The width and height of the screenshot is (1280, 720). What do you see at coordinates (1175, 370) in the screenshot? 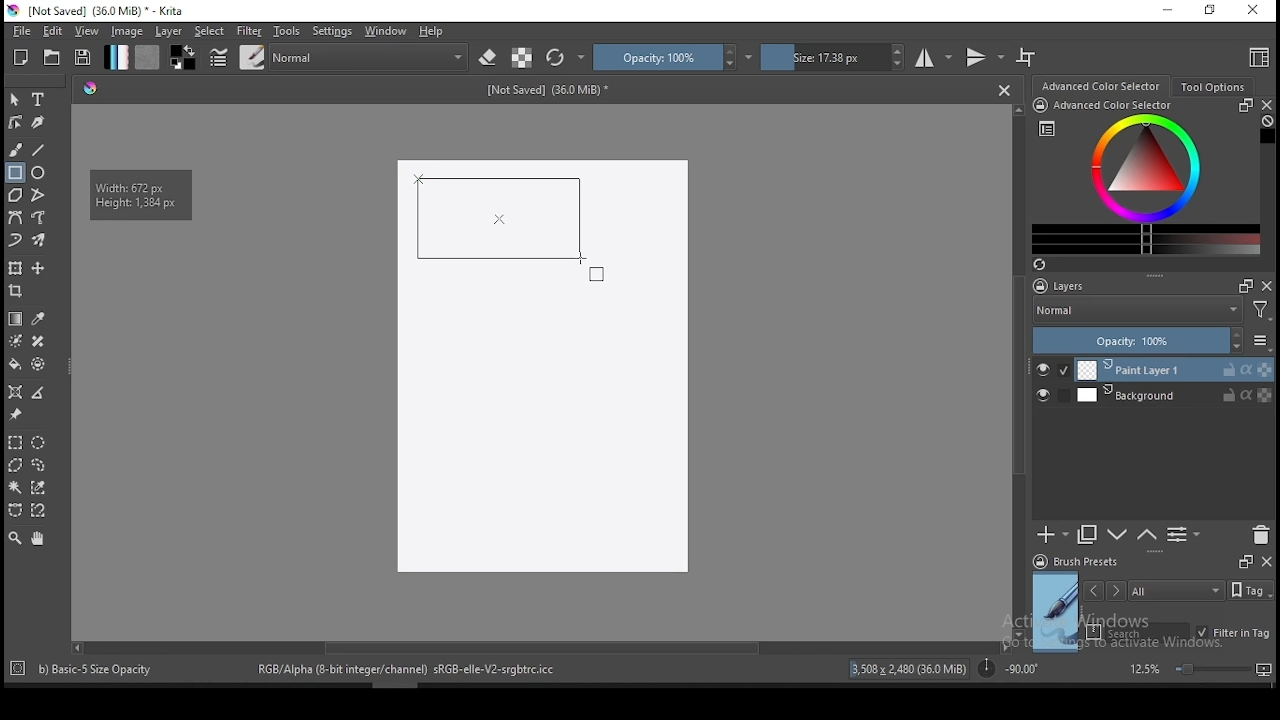
I see `layer` at bounding box center [1175, 370].